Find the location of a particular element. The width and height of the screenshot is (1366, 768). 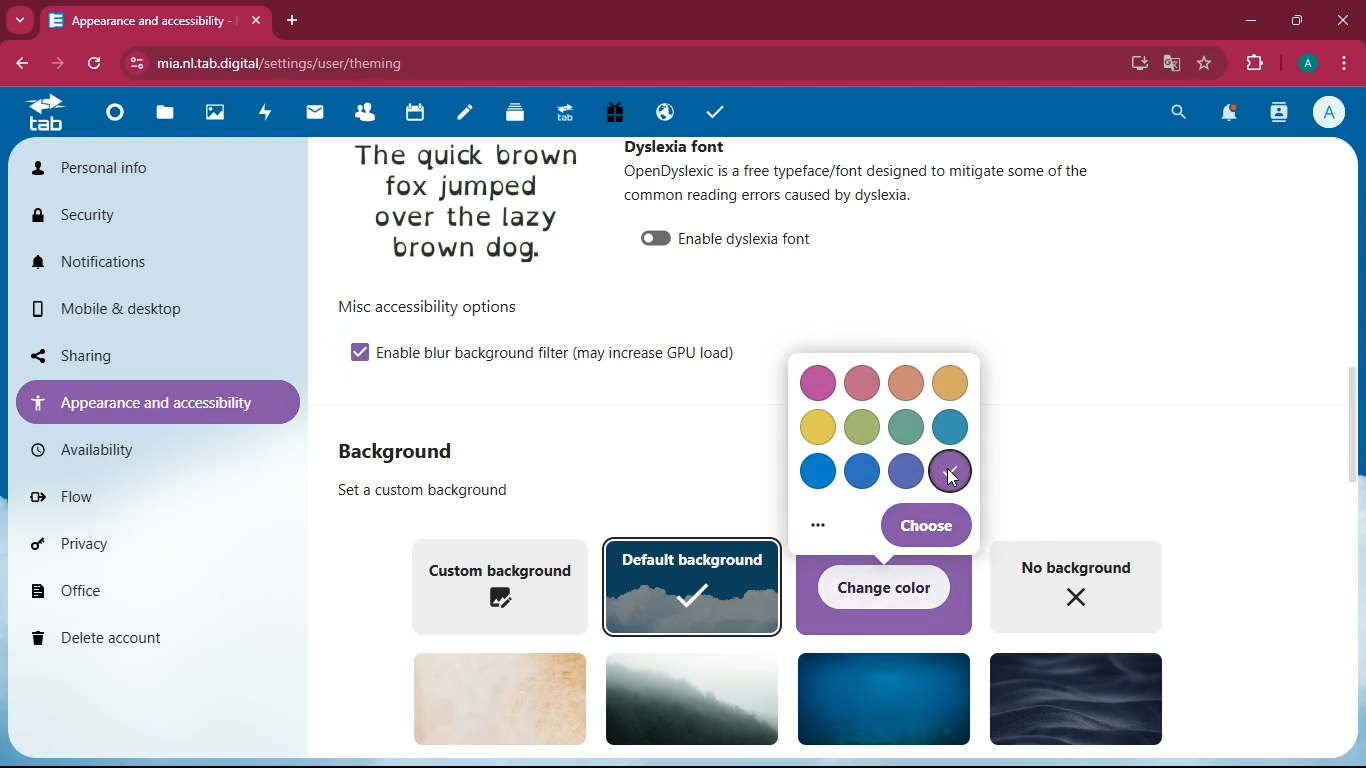

no background is located at coordinates (1085, 592).